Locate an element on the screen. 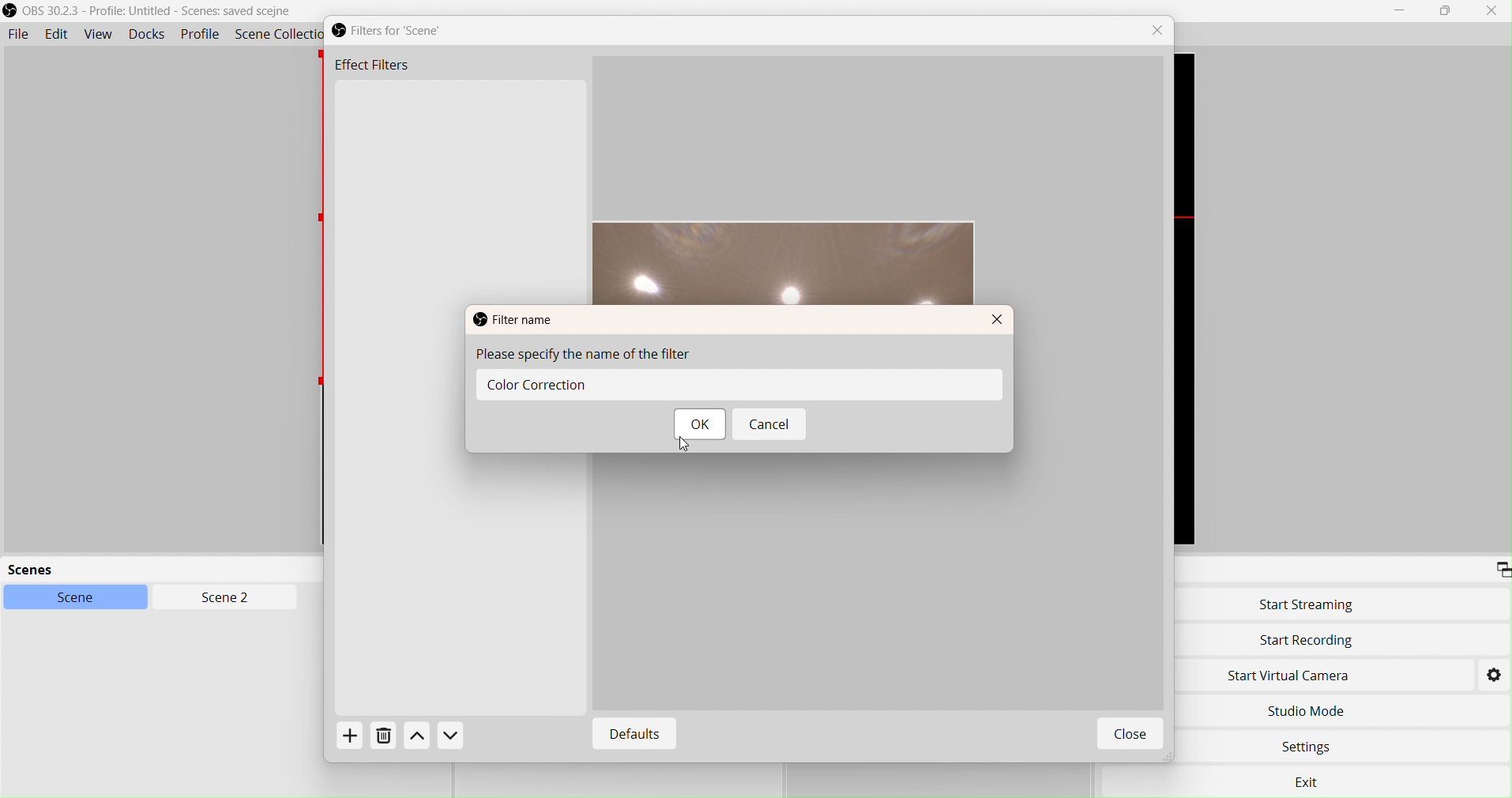 This screenshot has width=1512, height=798. Scen2 is located at coordinates (222, 599).